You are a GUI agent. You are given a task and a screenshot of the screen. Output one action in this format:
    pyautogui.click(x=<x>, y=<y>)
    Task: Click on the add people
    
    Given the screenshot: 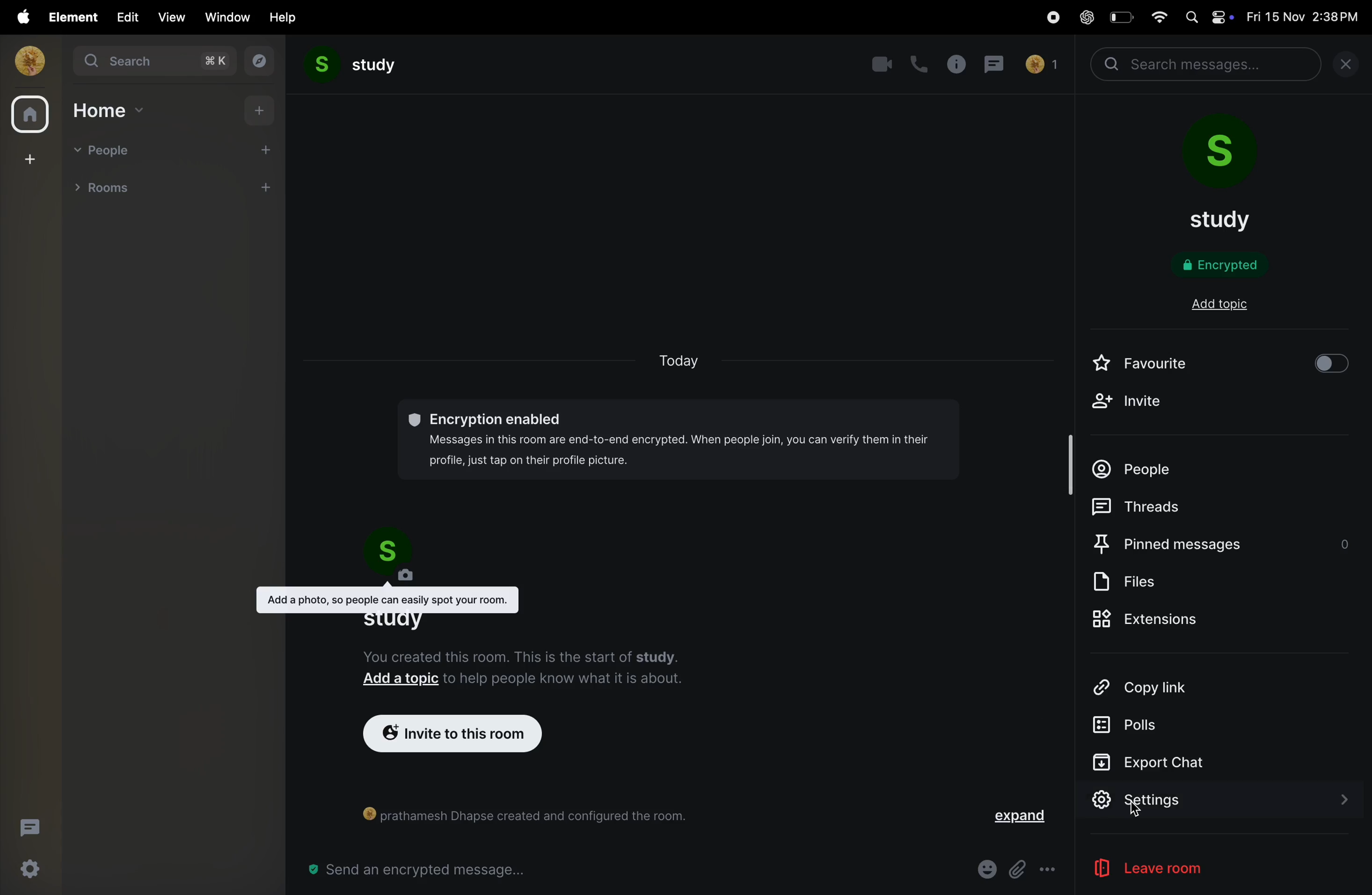 What is the action you would take?
    pyautogui.click(x=258, y=149)
    